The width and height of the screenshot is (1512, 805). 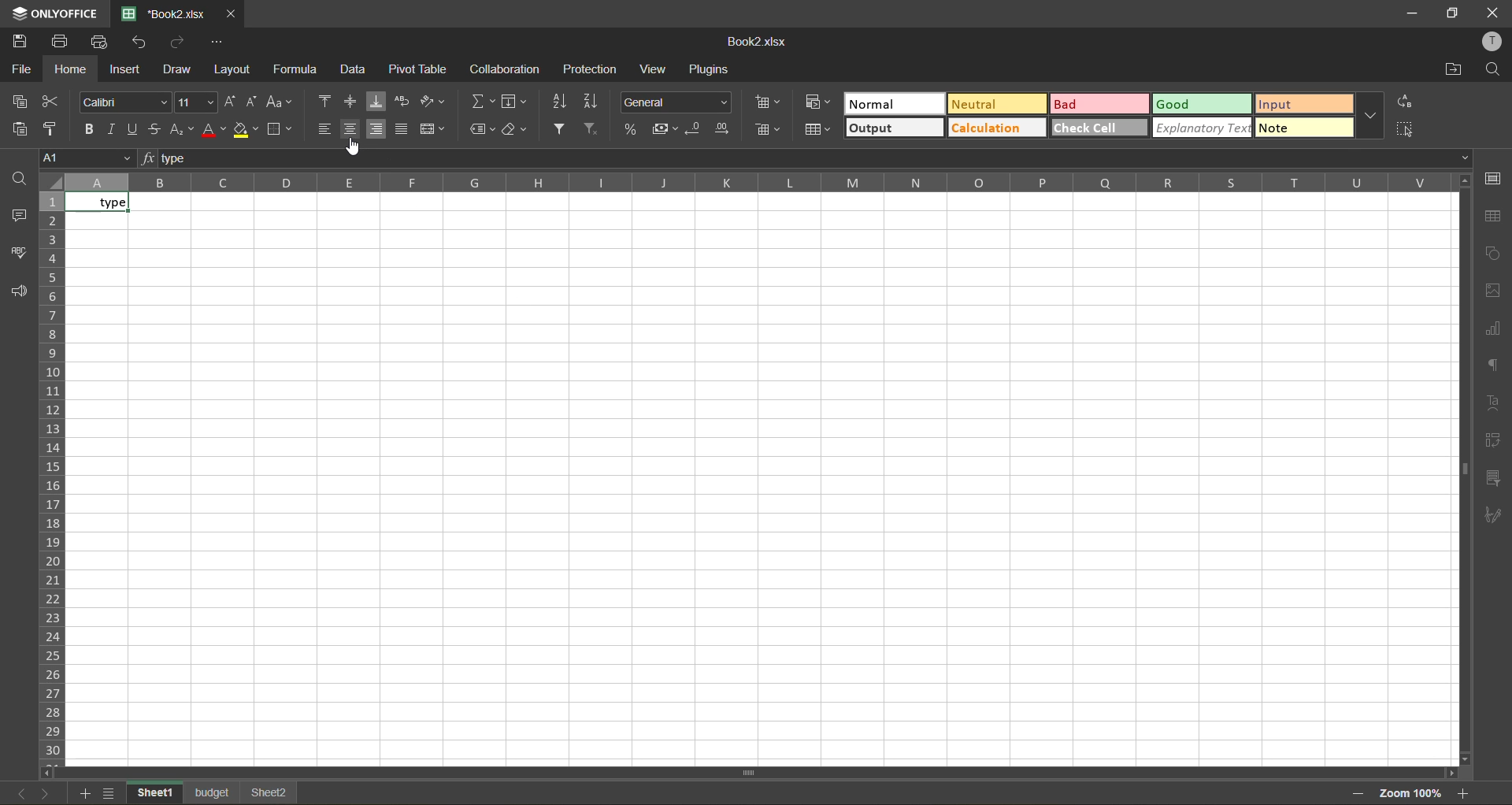 What do you see at coordinates (1414, 795) in the screenshot?
I see `zoom factor` at bounding box center [1414, 795].